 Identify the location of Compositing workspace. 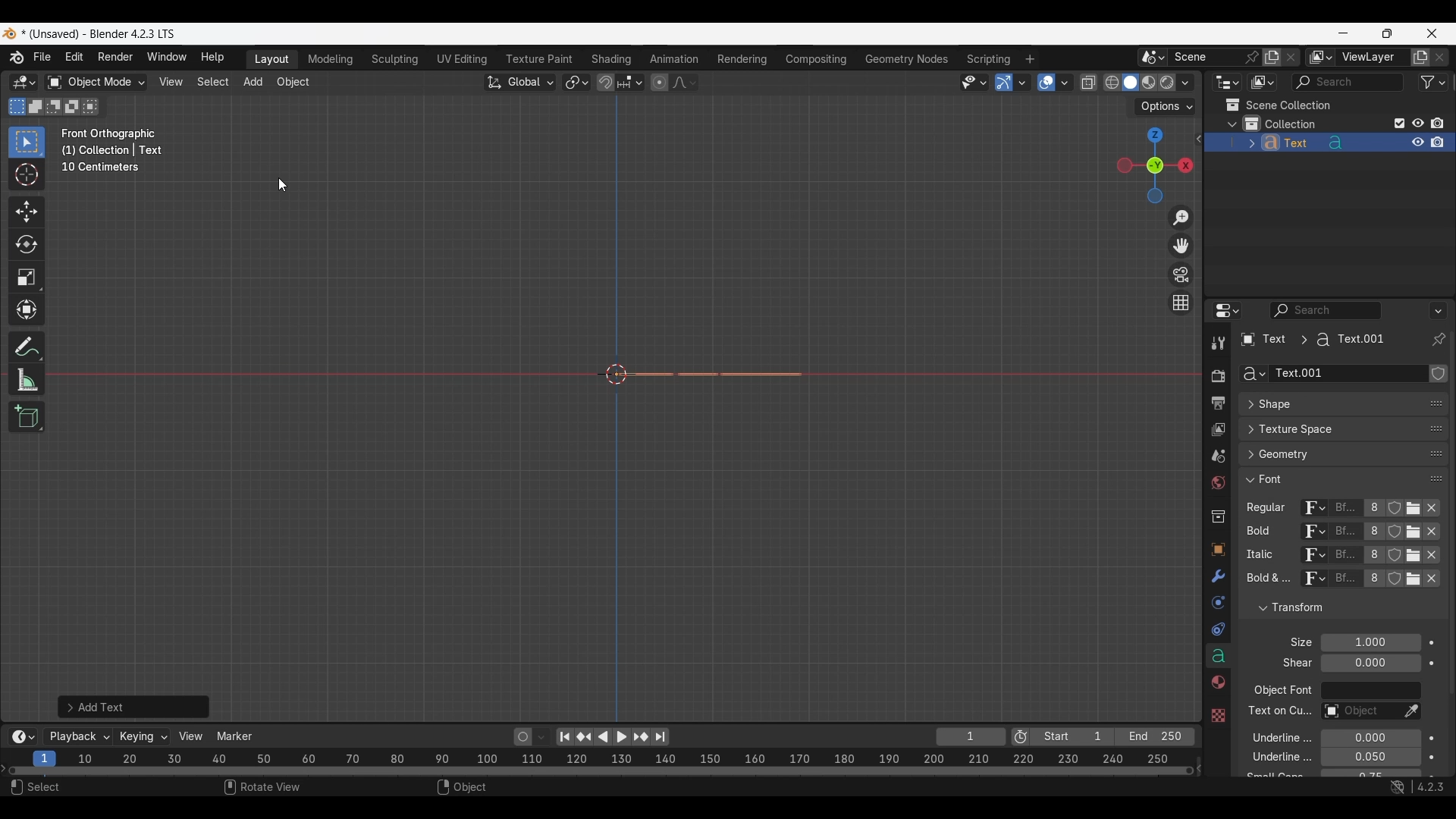
(817, 59).